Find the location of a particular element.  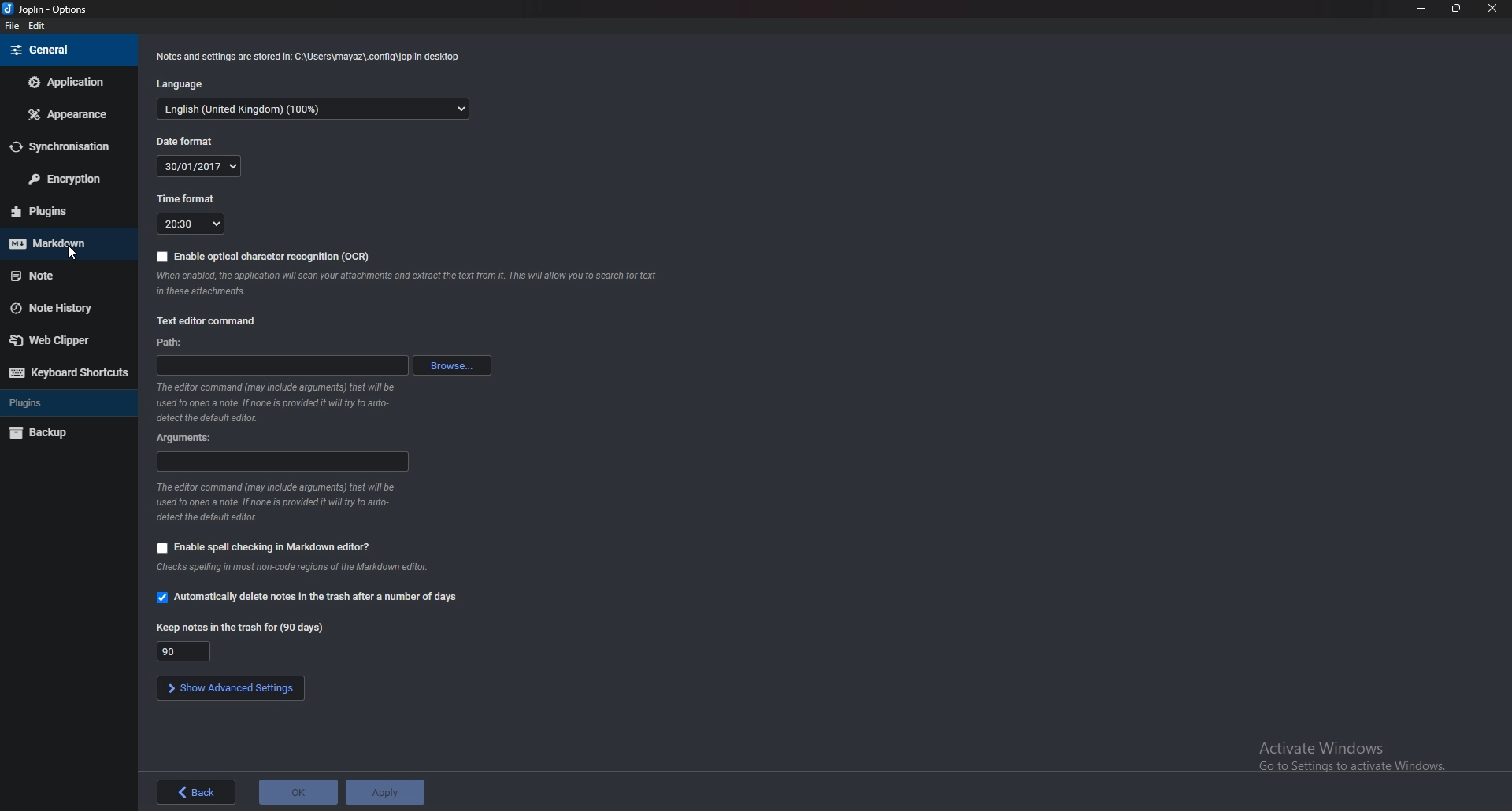

Info is located at coordinates (404, 283).